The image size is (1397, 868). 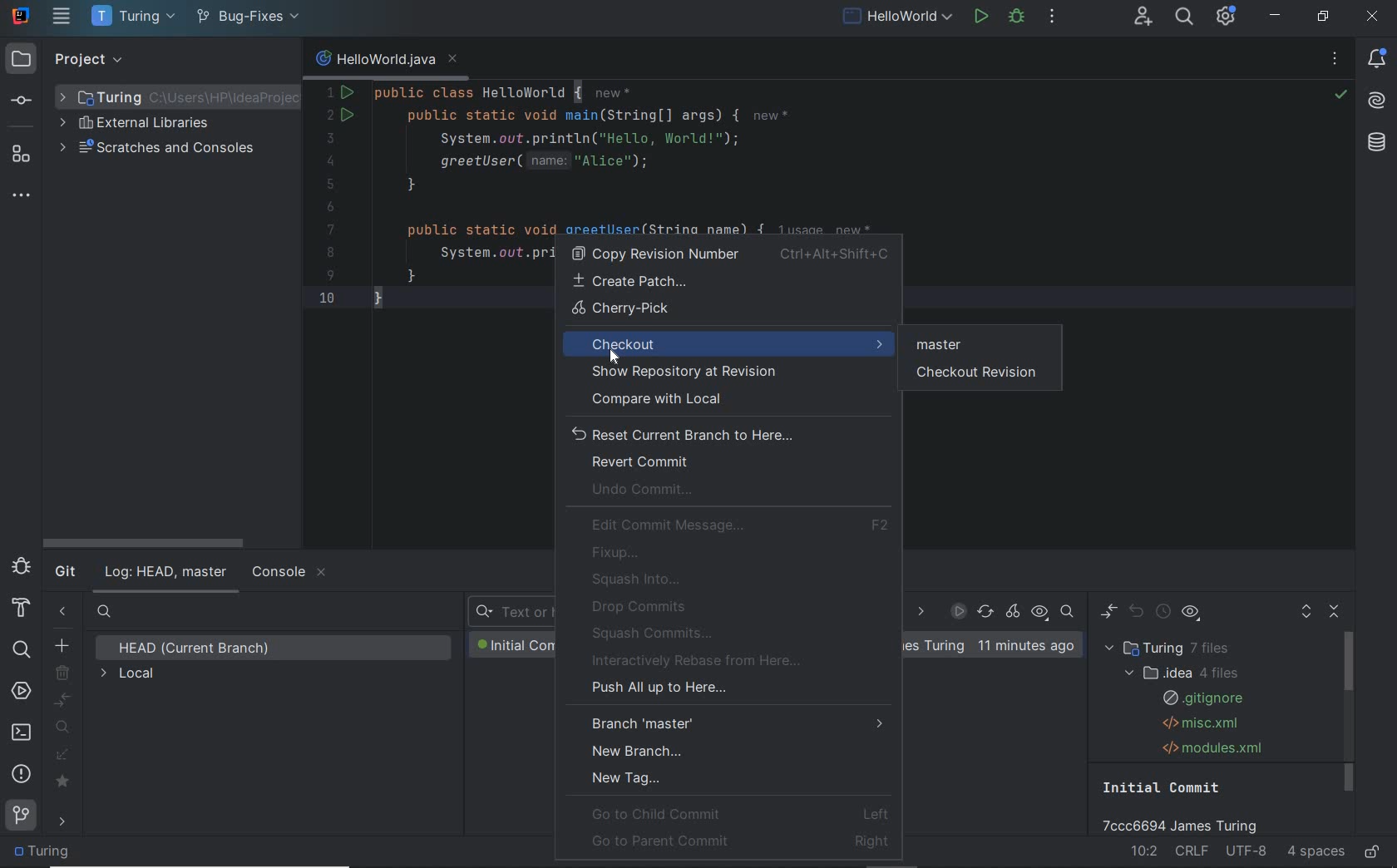 I want to click on go to child commit, so click(x=740, y=813).